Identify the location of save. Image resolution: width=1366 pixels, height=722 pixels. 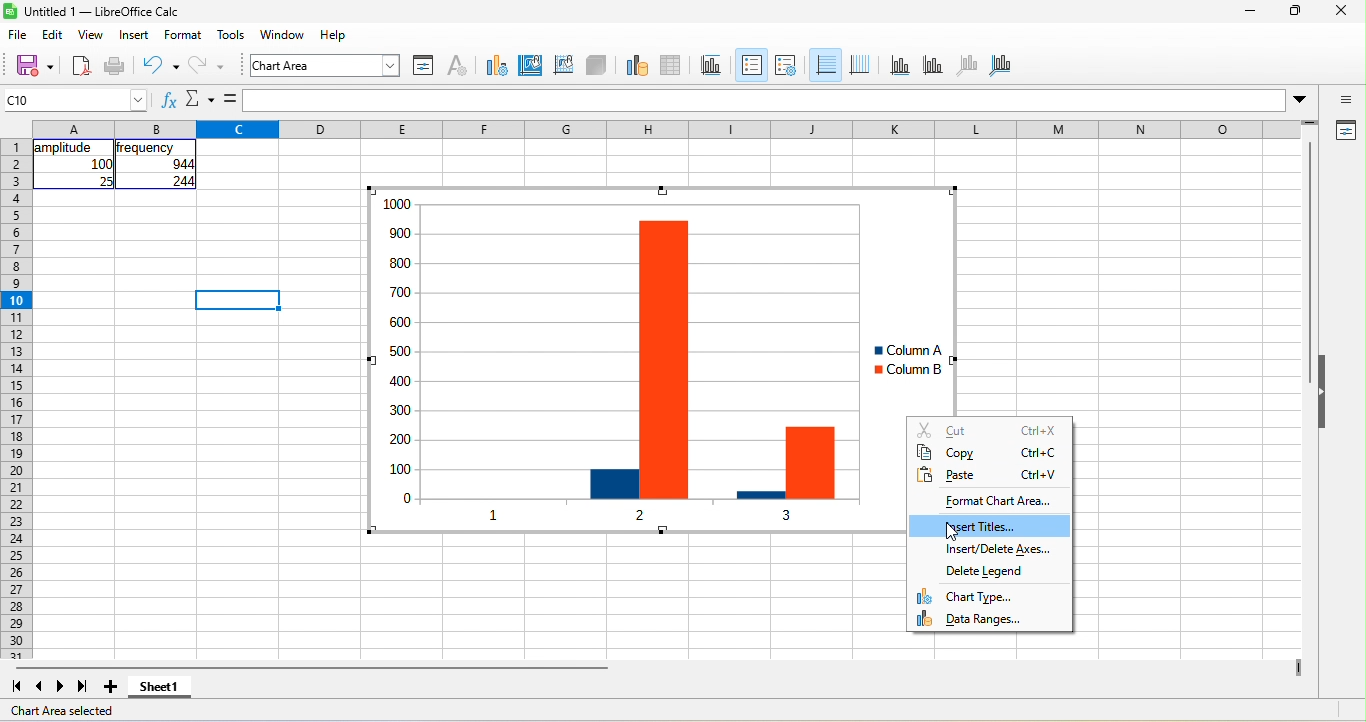
(34, 67).